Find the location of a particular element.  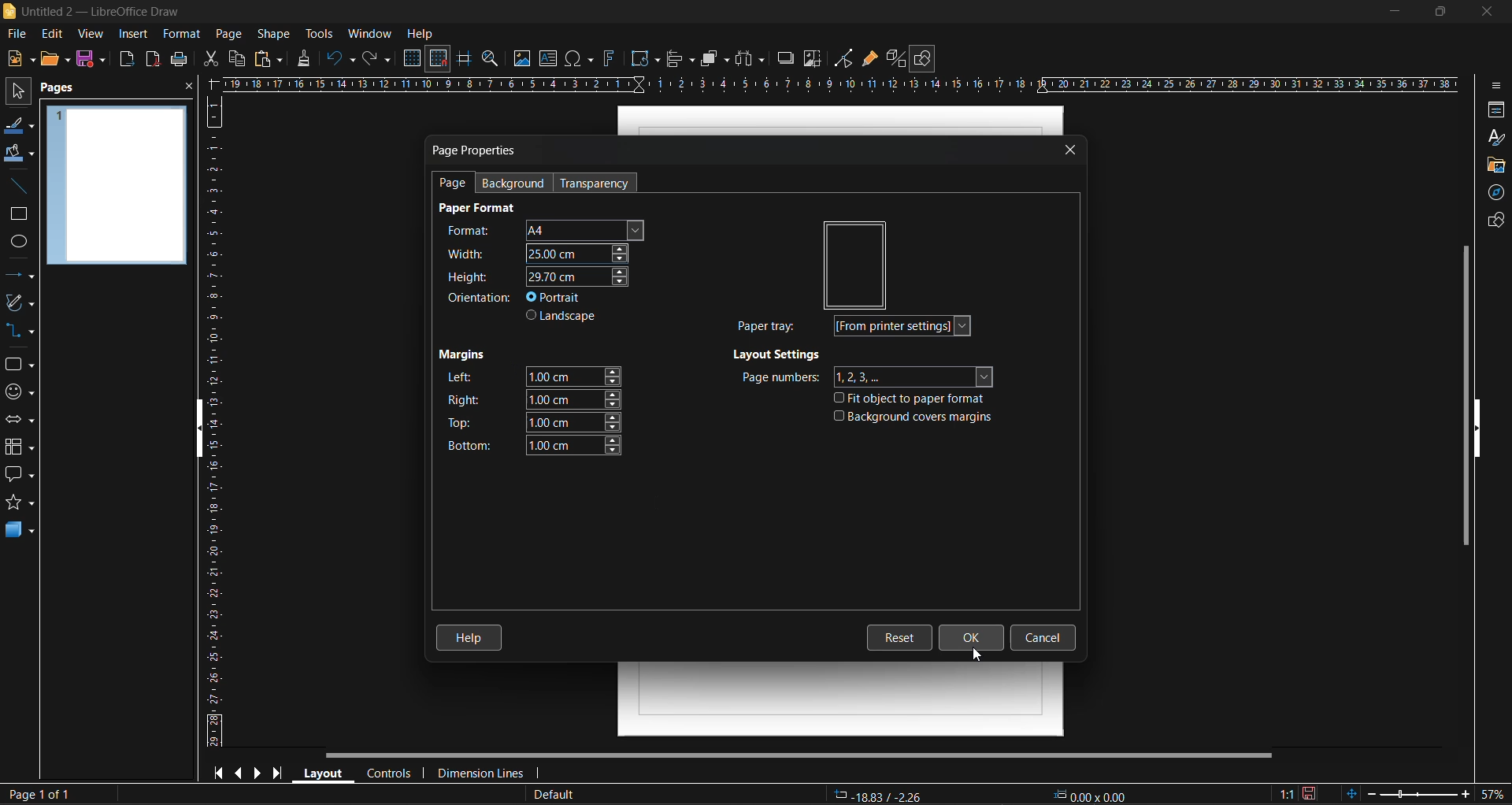

insert line is located at coordinates (16, 187).